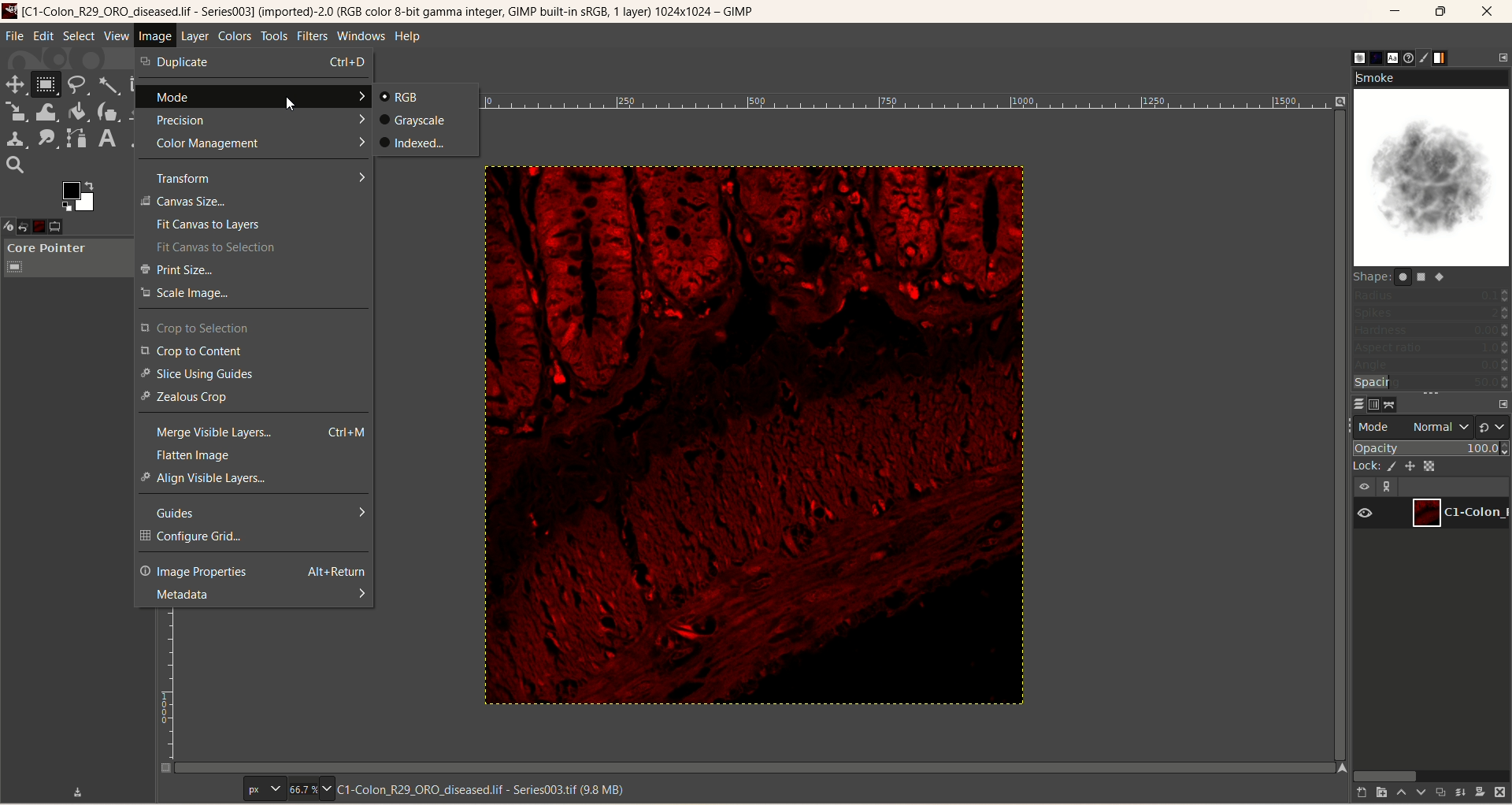  Describe the element at coordinates (135, 83) in the screenshot. I see `crop tool` at that location.